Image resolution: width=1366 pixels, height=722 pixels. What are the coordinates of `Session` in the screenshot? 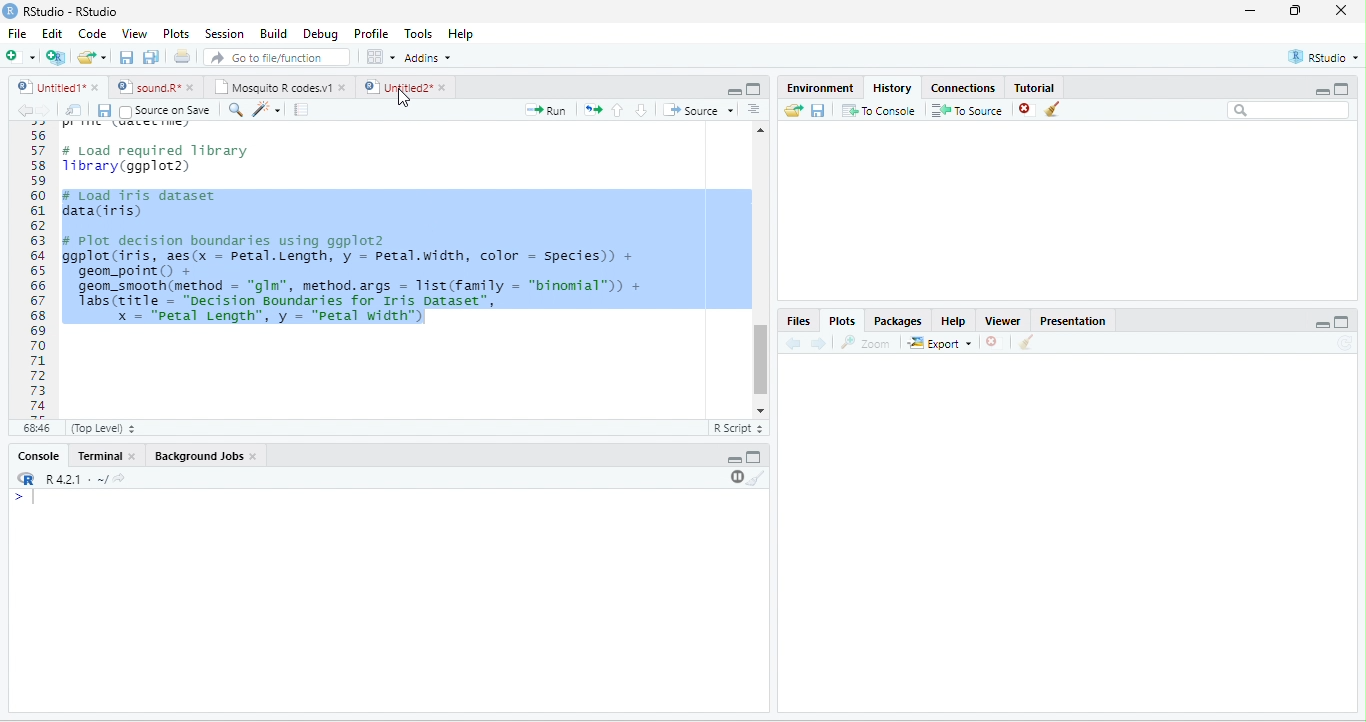 It's located at (226, 35).